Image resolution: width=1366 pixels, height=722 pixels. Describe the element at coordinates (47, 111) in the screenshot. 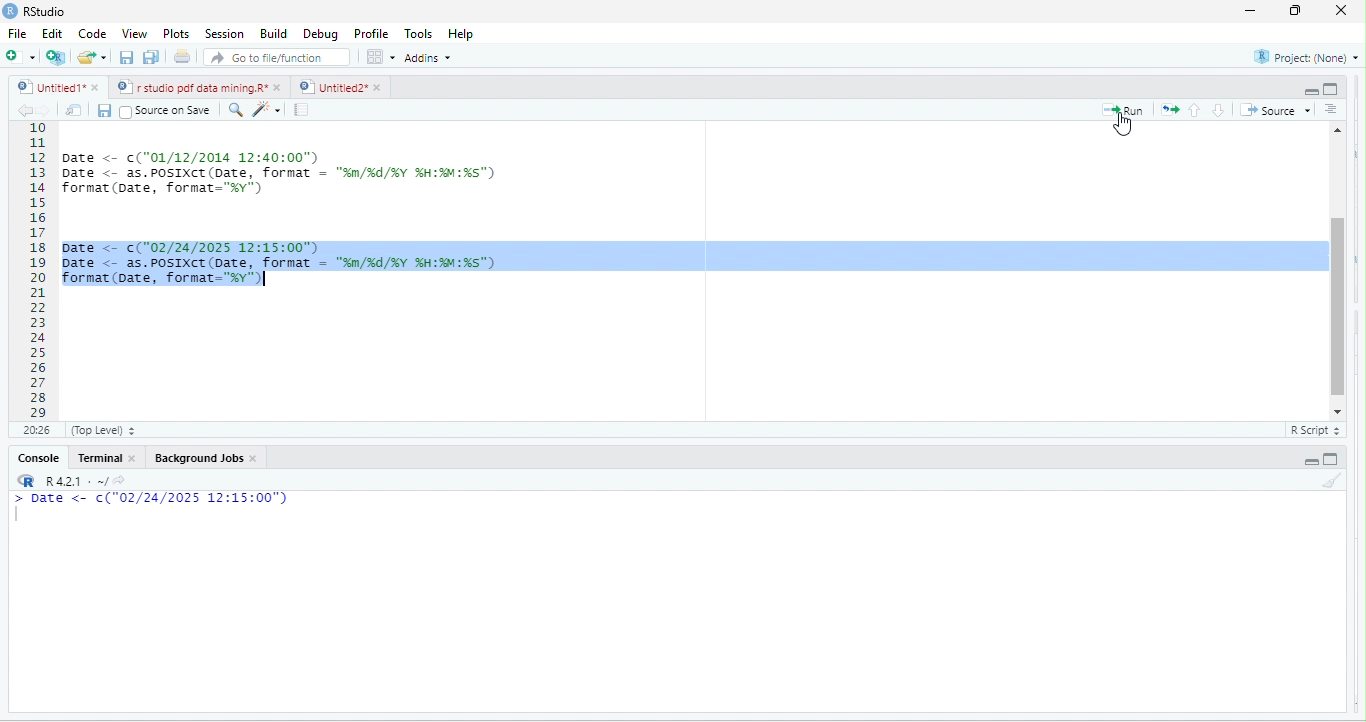

I see `go forward to the next source location` at that location.